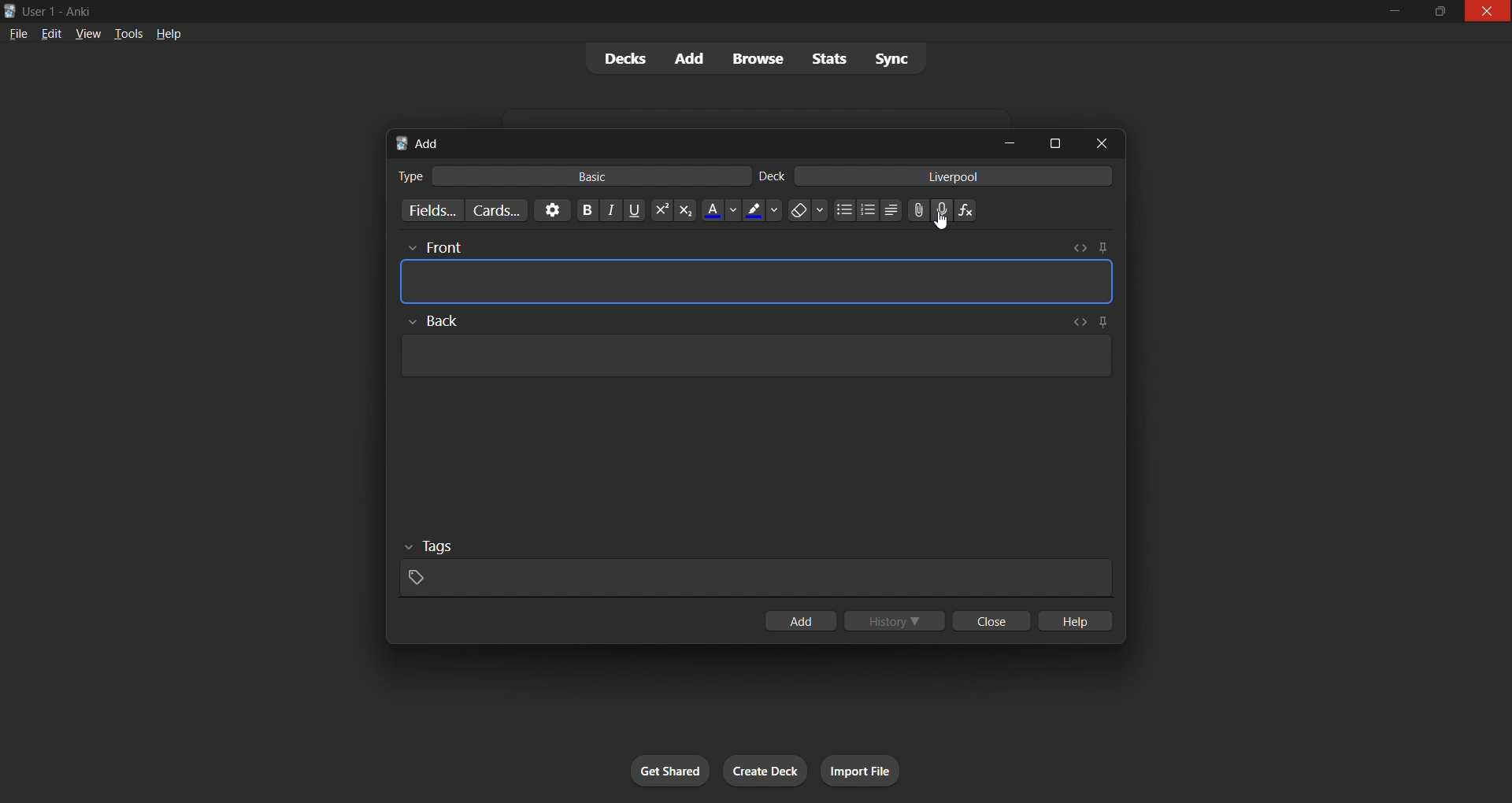 Image resolution: width=1512 pixels, height=803 pixels. I want to click on tools, so click(128, 35).